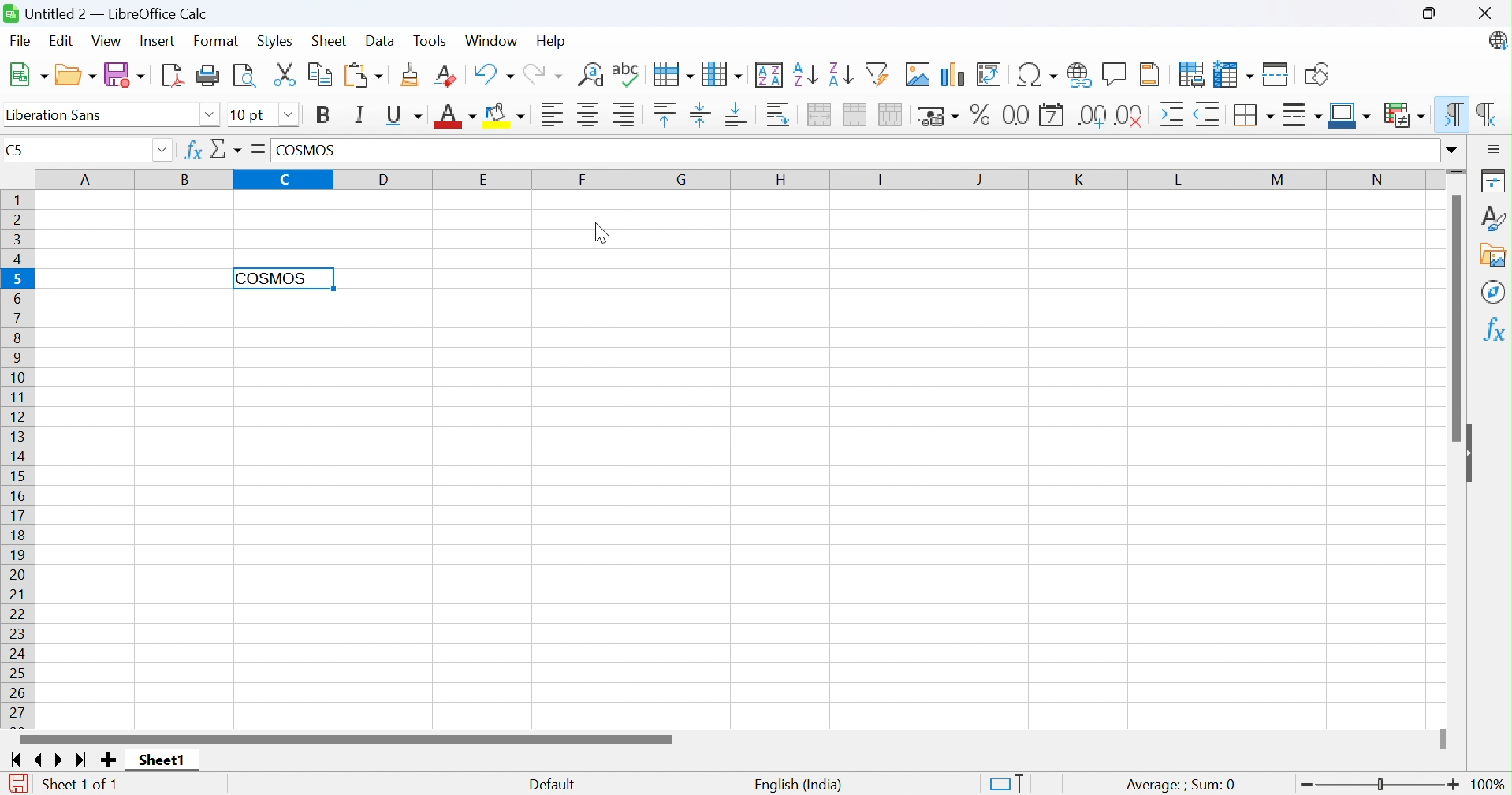 The width and height of the screenshot is (1512, 795). I want to click on Function wizard, so click(194, 151).